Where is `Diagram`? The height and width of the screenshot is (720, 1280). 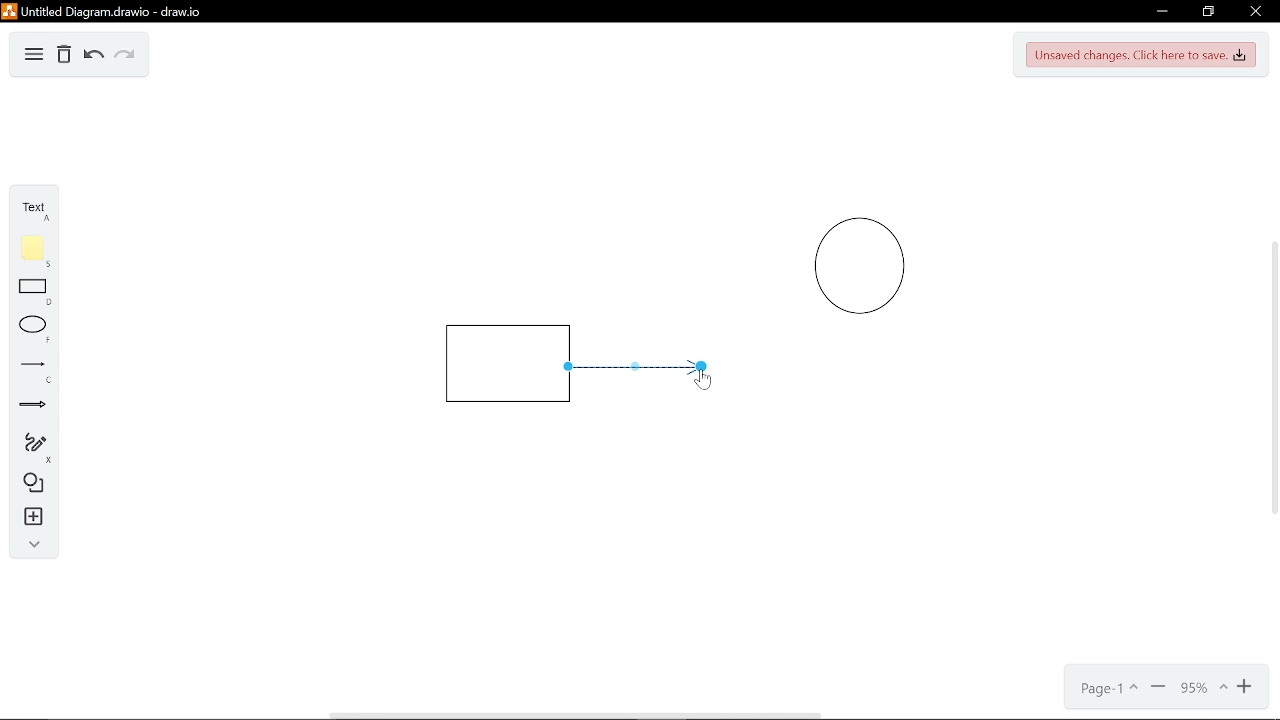
Diagram is located at coordinates (30, 482).